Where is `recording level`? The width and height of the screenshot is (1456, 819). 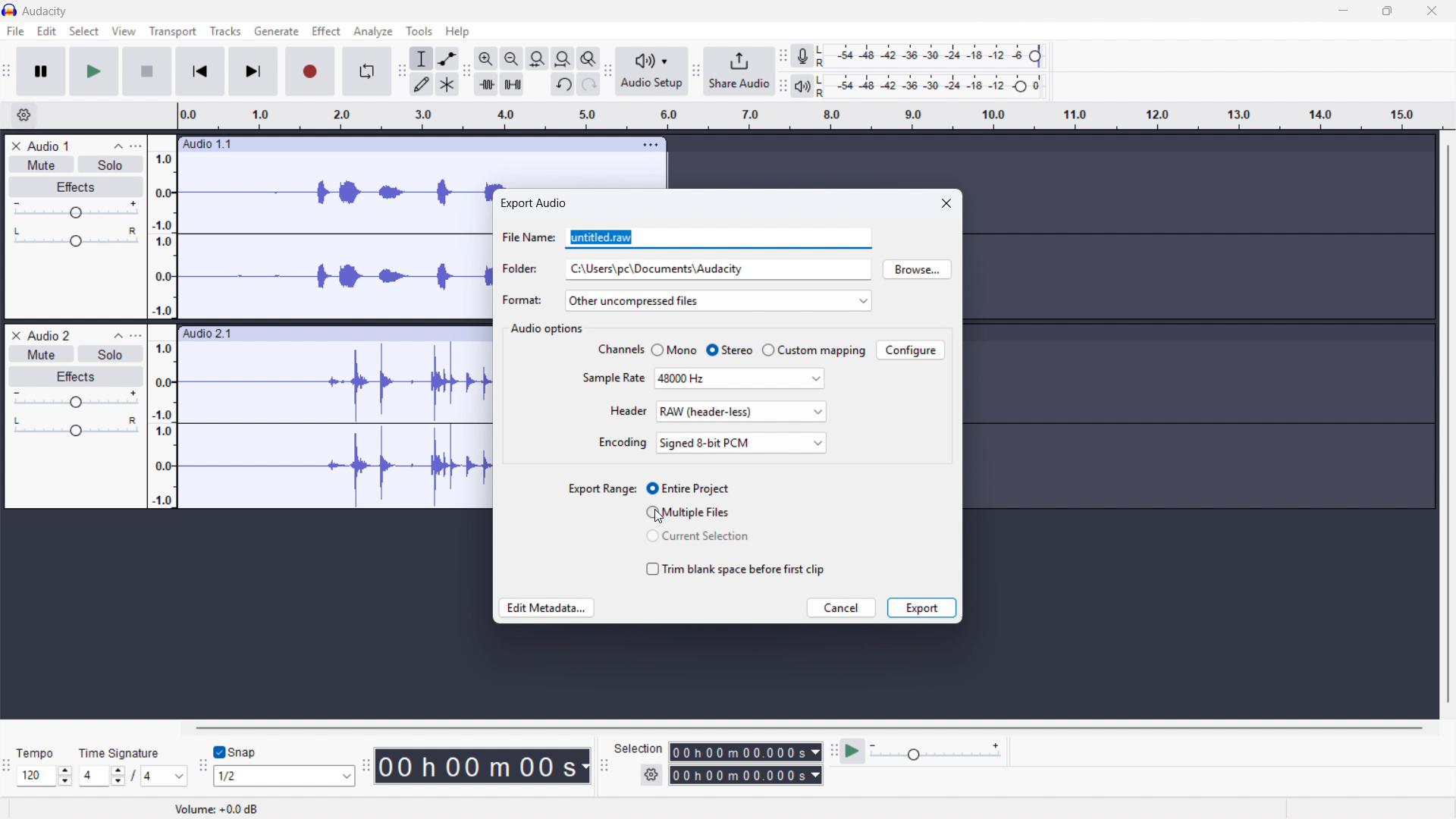 recording level is located at coordinates (934, 56).